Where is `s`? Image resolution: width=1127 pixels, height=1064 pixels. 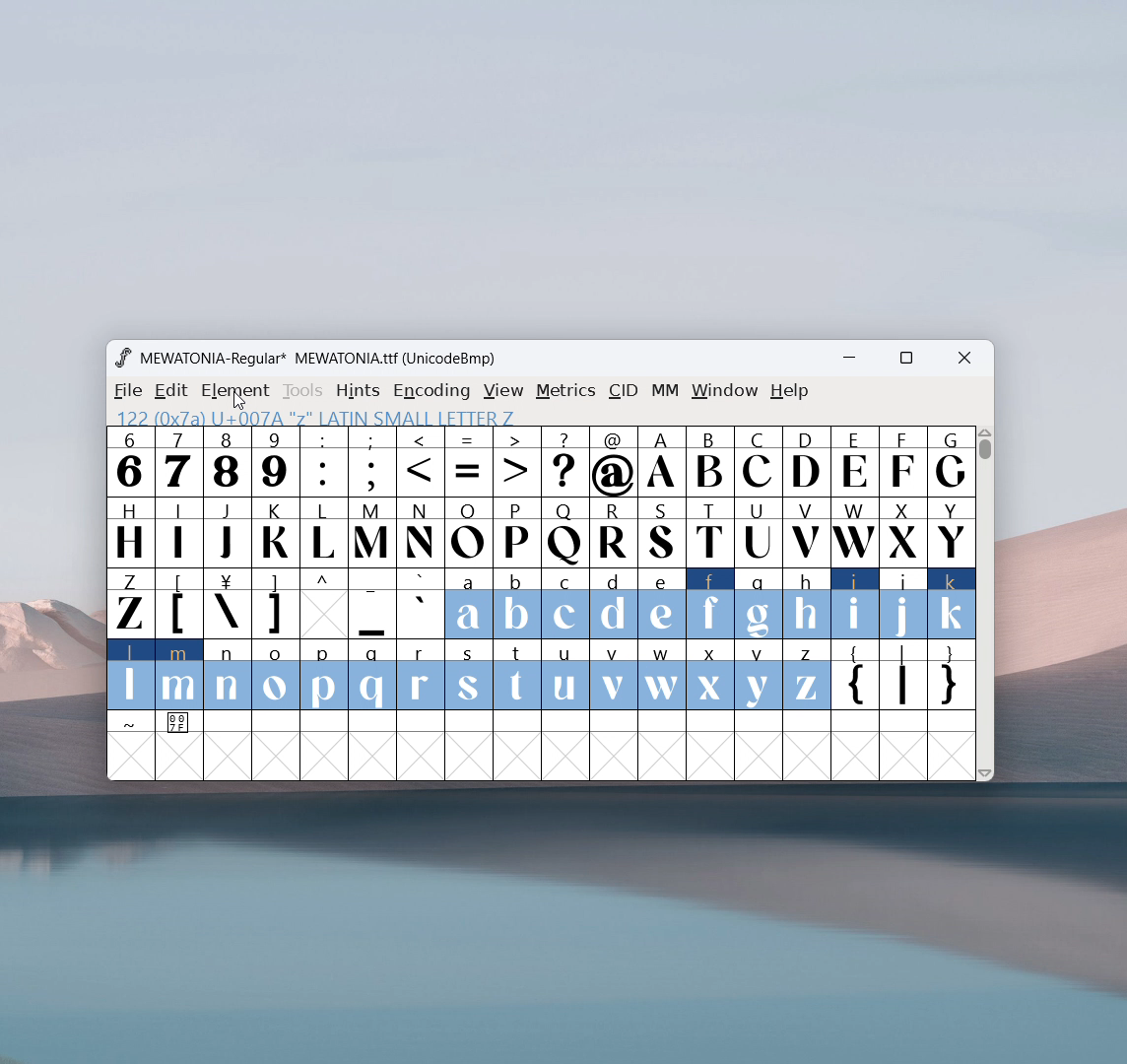
s is located at coordinates (469, 676).